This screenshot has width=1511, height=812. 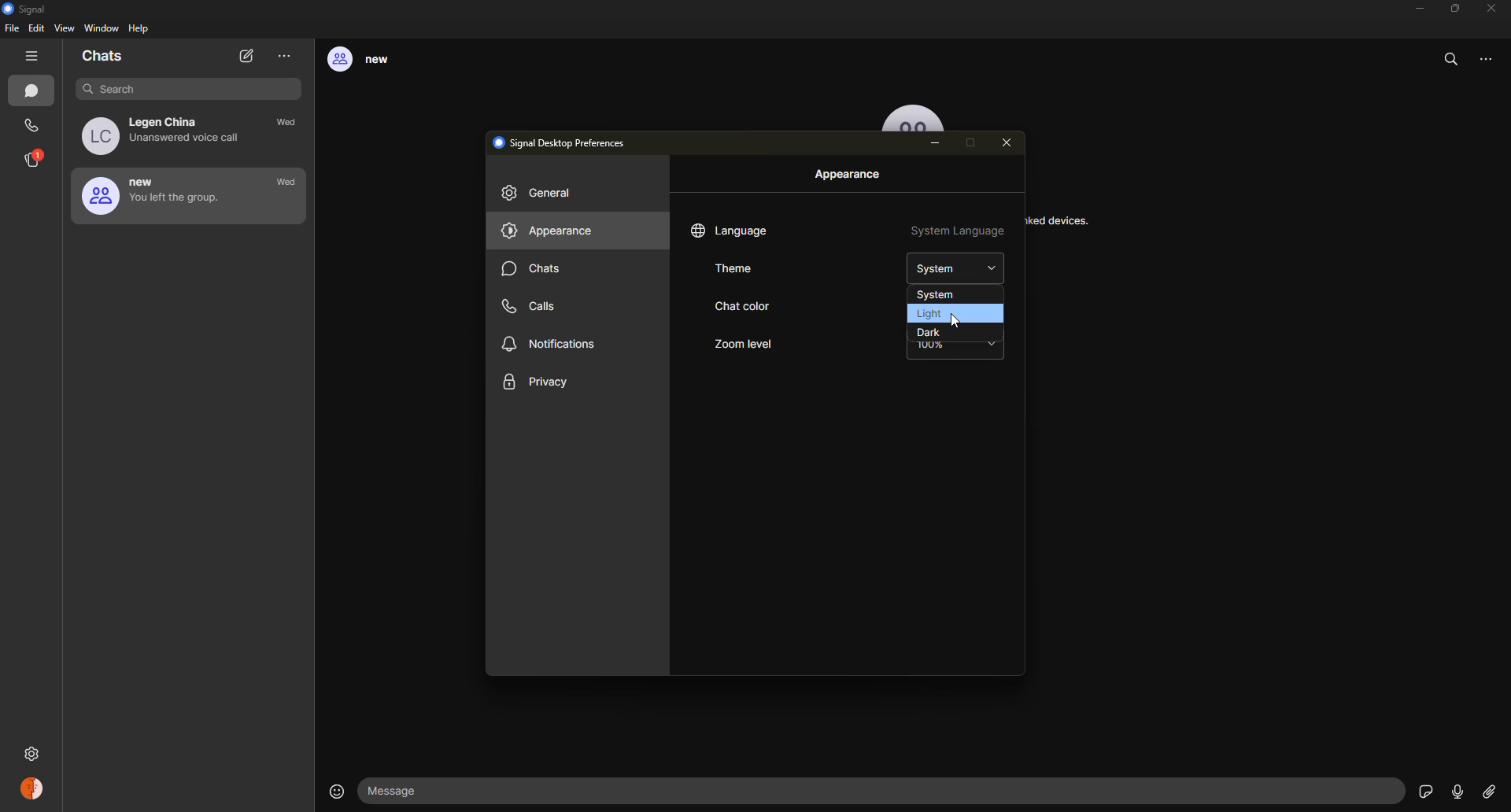 I want to click on view, so click(x=66, y=29).